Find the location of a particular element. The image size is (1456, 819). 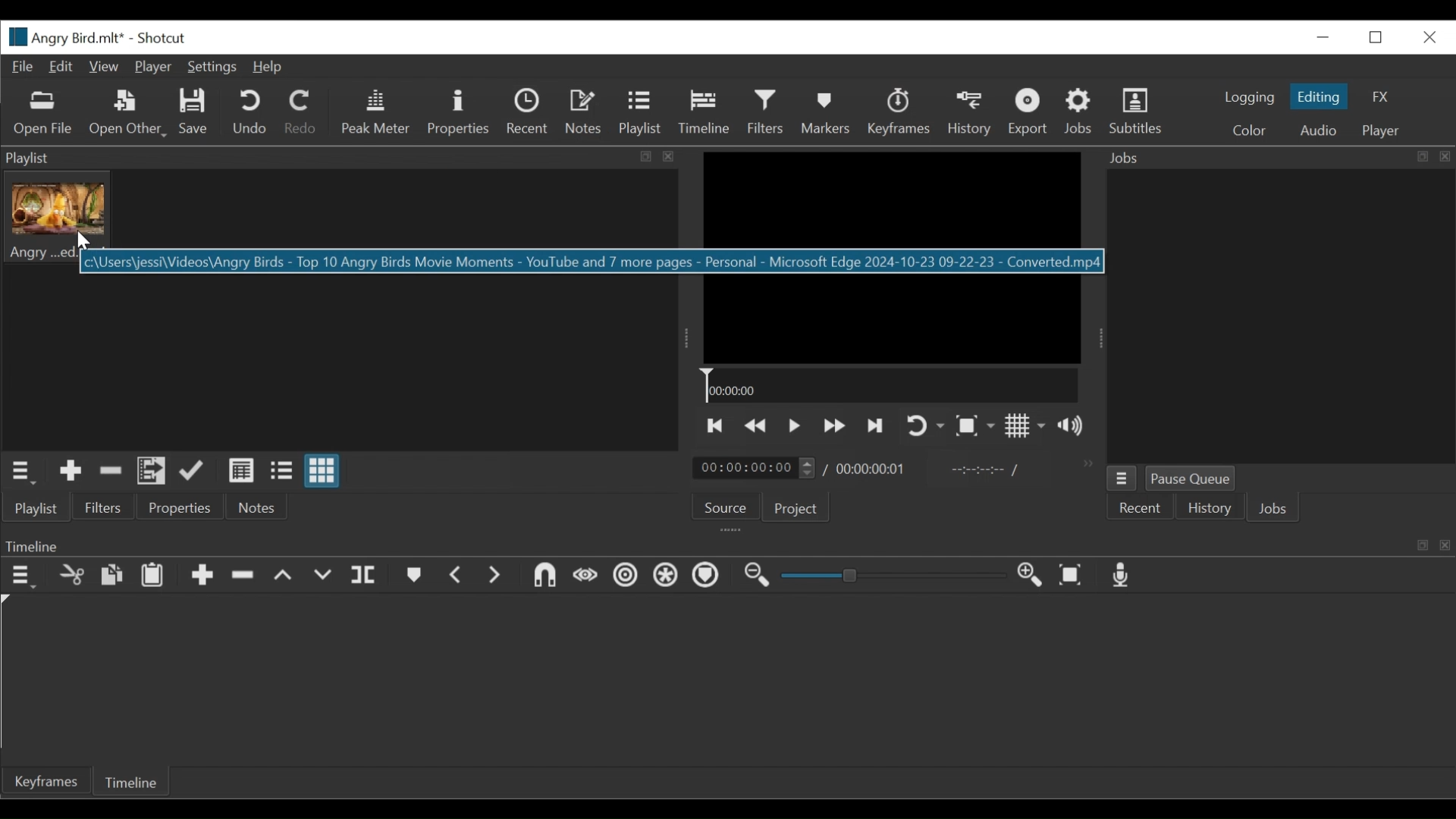

logging is located at coordinates (1250, 98).